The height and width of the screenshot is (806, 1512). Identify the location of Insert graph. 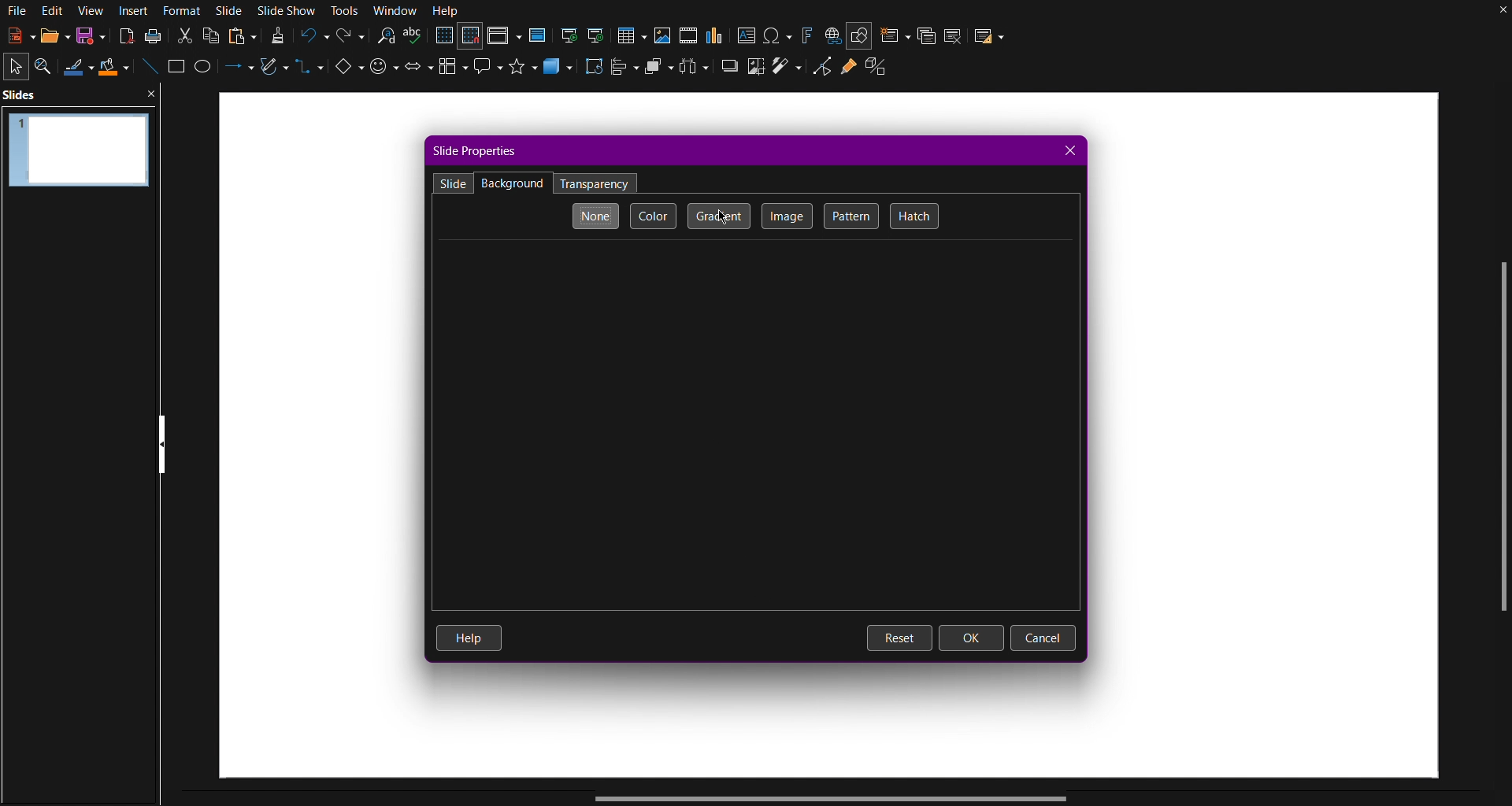
(716, 35).